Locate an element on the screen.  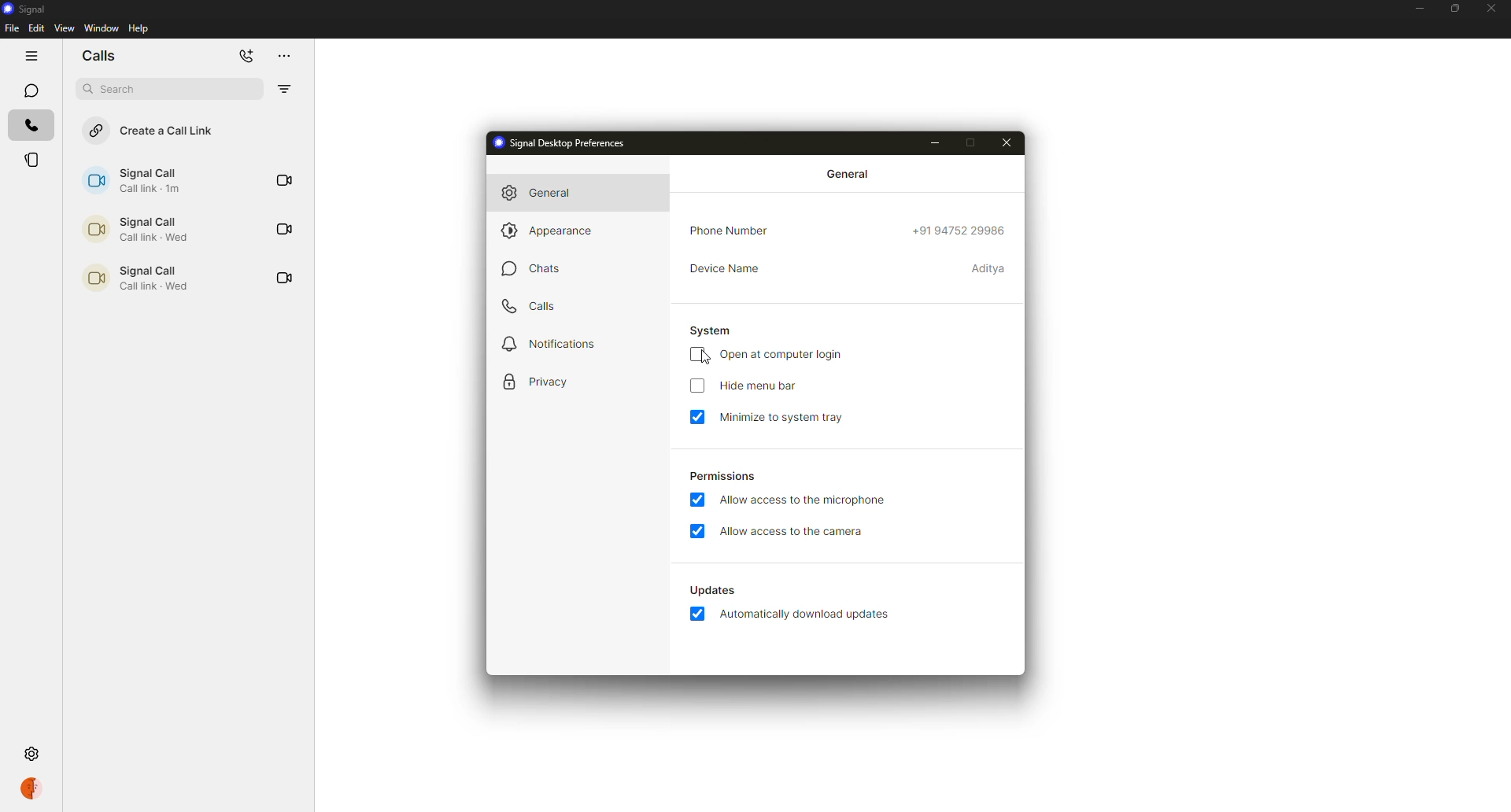
call link is located at coordinates (132, 229).